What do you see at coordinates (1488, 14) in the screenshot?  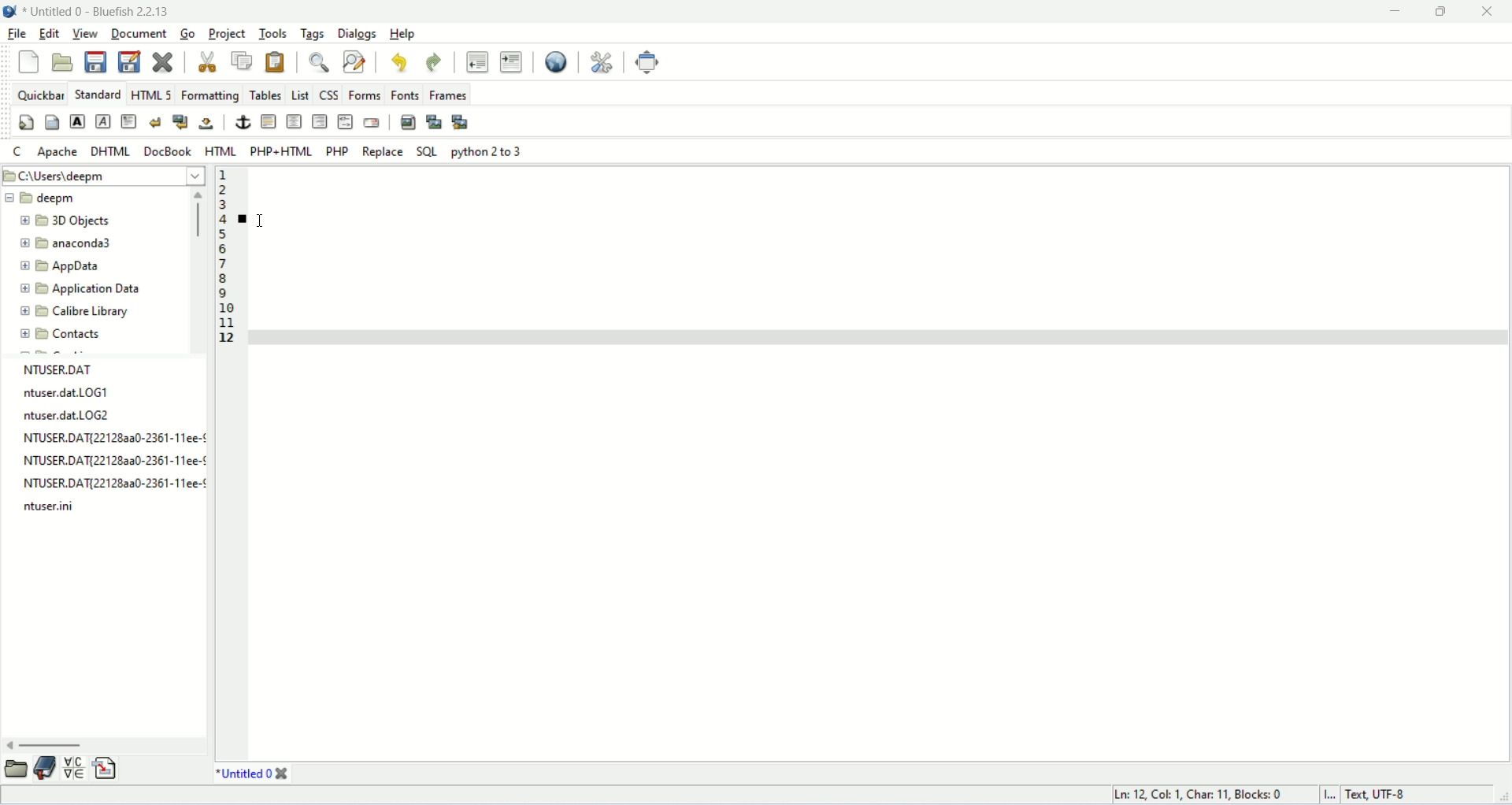 I see `close` at bounding box center [1488, 14].